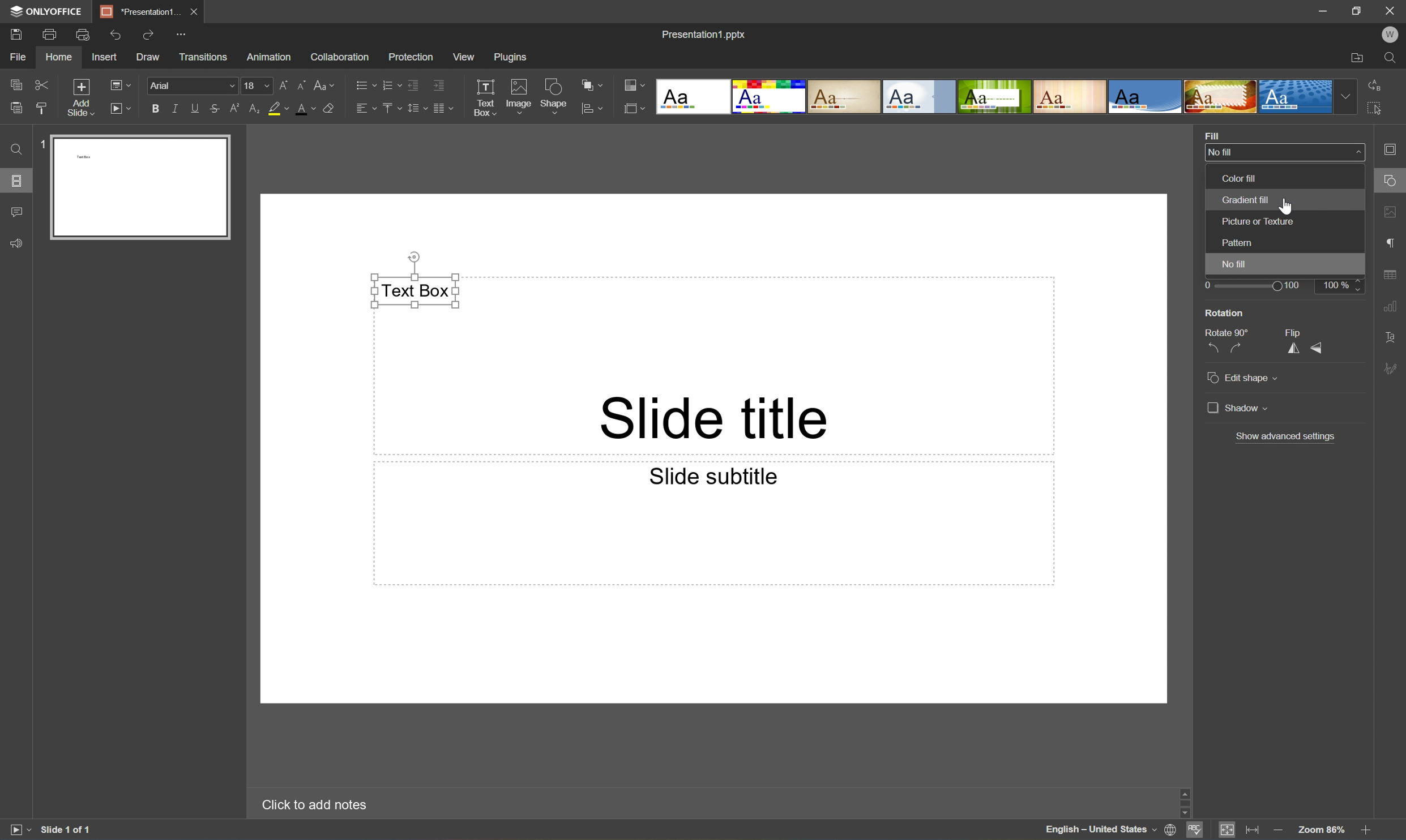  Describe the element at coordinates (1170, 830) in the screenshot. I see `Set document language` at that location.